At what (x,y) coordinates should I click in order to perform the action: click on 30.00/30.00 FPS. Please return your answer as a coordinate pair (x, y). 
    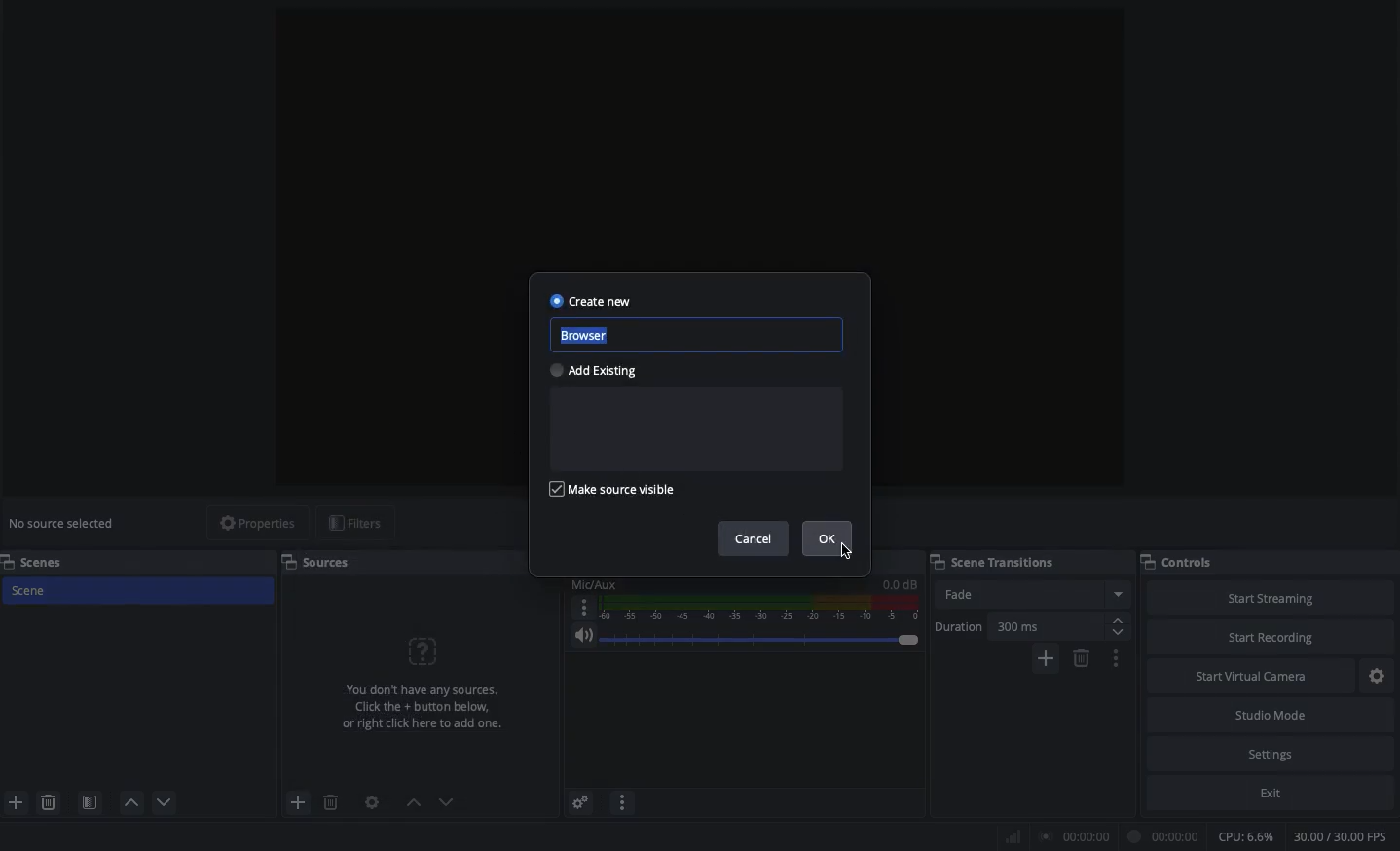
    Looking at the image, I should click on (1343, 835).